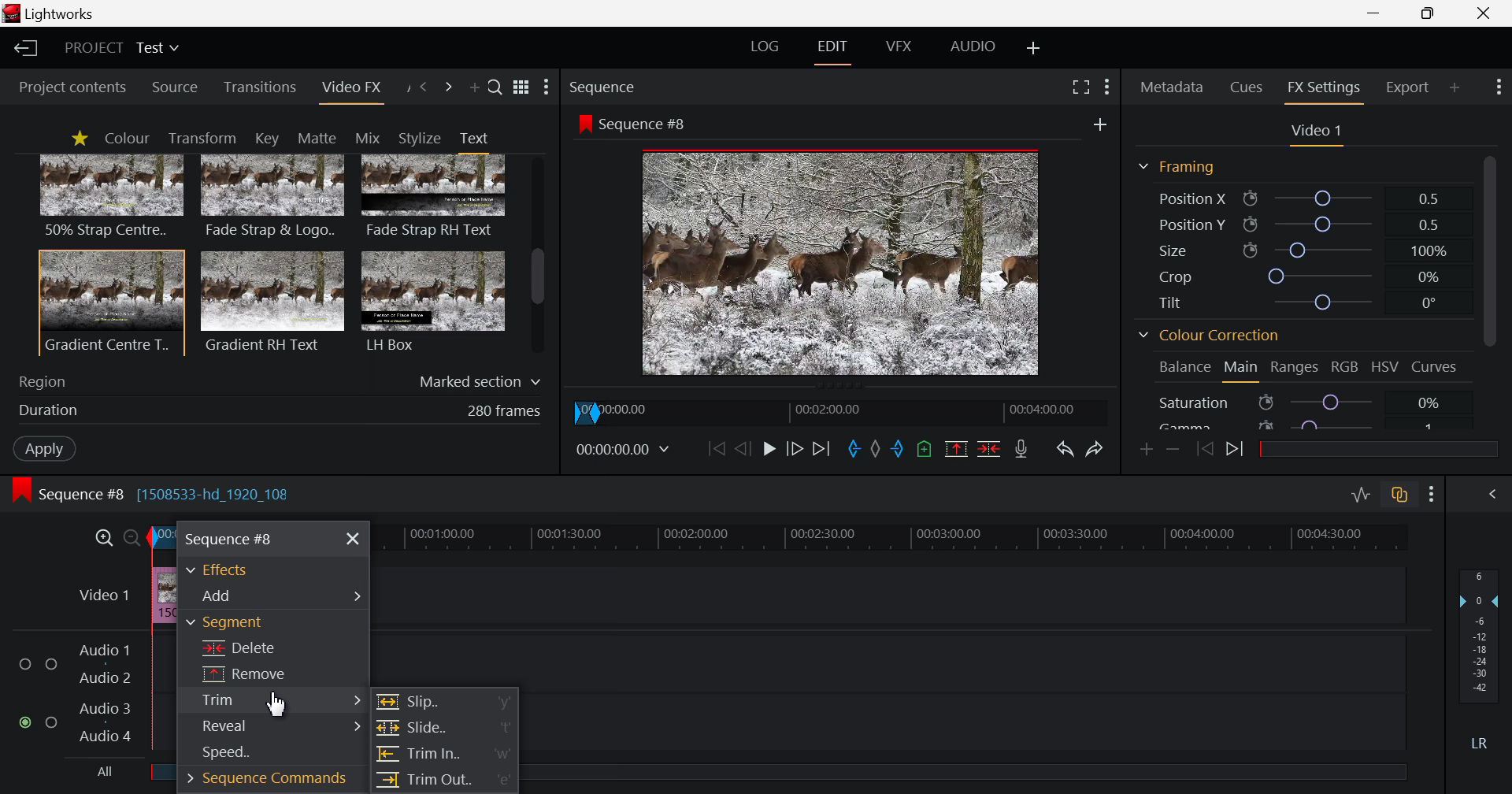 The image size is (1512, 794). I want to click on Scroll Bar, so click(538, 257).